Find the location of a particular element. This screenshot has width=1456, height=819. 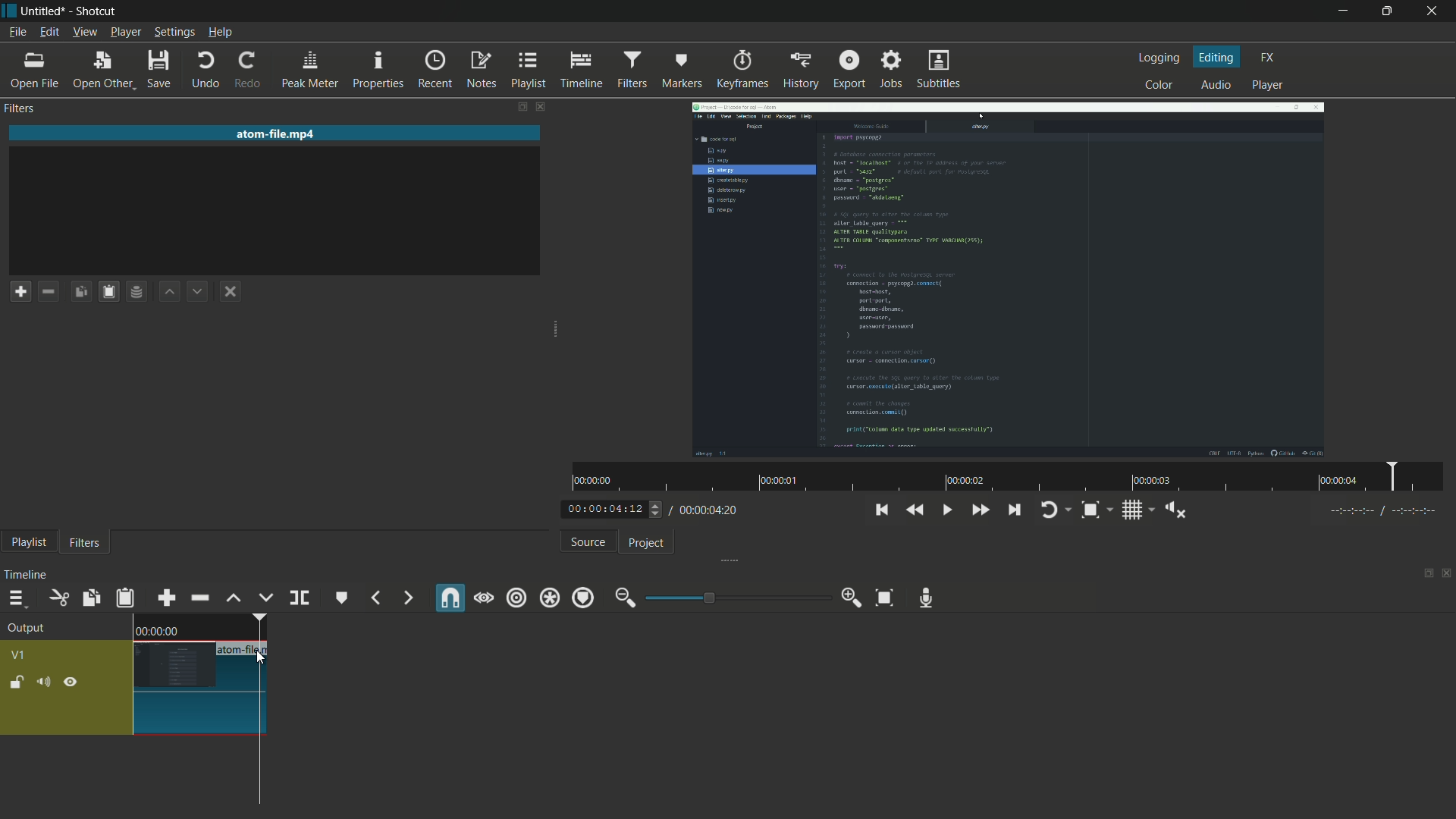

next marker is located at coordinates (408, 598).